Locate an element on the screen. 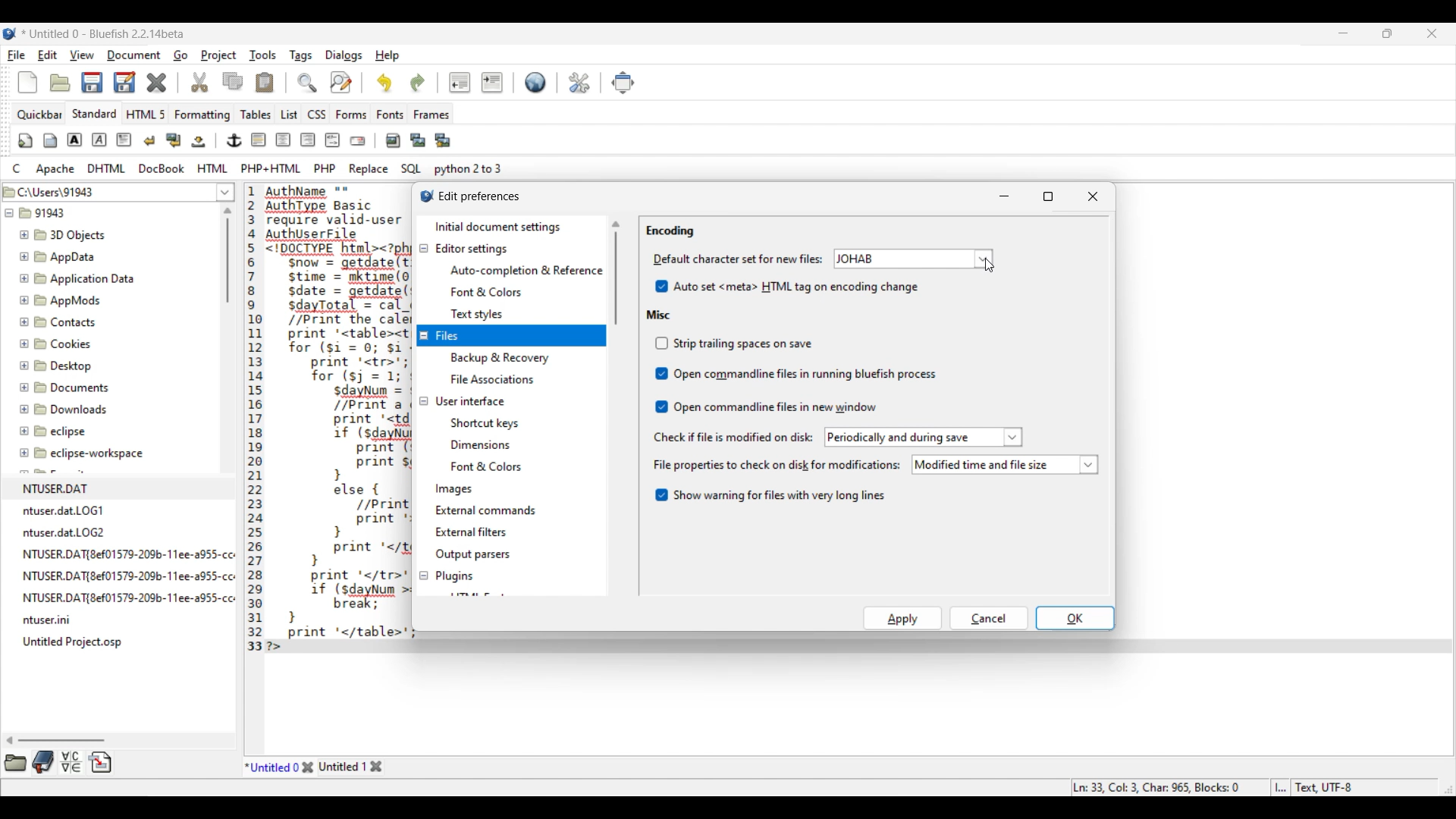 The height and width of the screenshot is (819, 1456). OK is located at coordinates (1075, 617).